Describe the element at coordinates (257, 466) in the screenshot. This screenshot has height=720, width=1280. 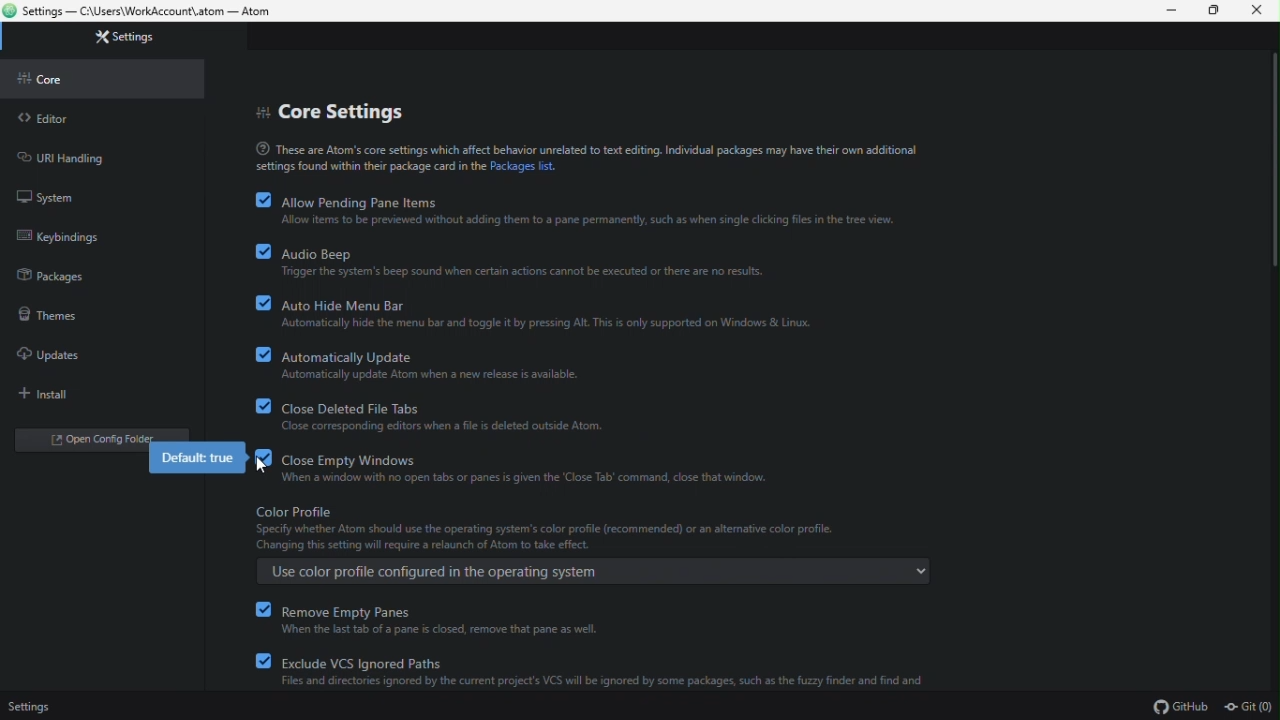
I see `Cursor` at that location.